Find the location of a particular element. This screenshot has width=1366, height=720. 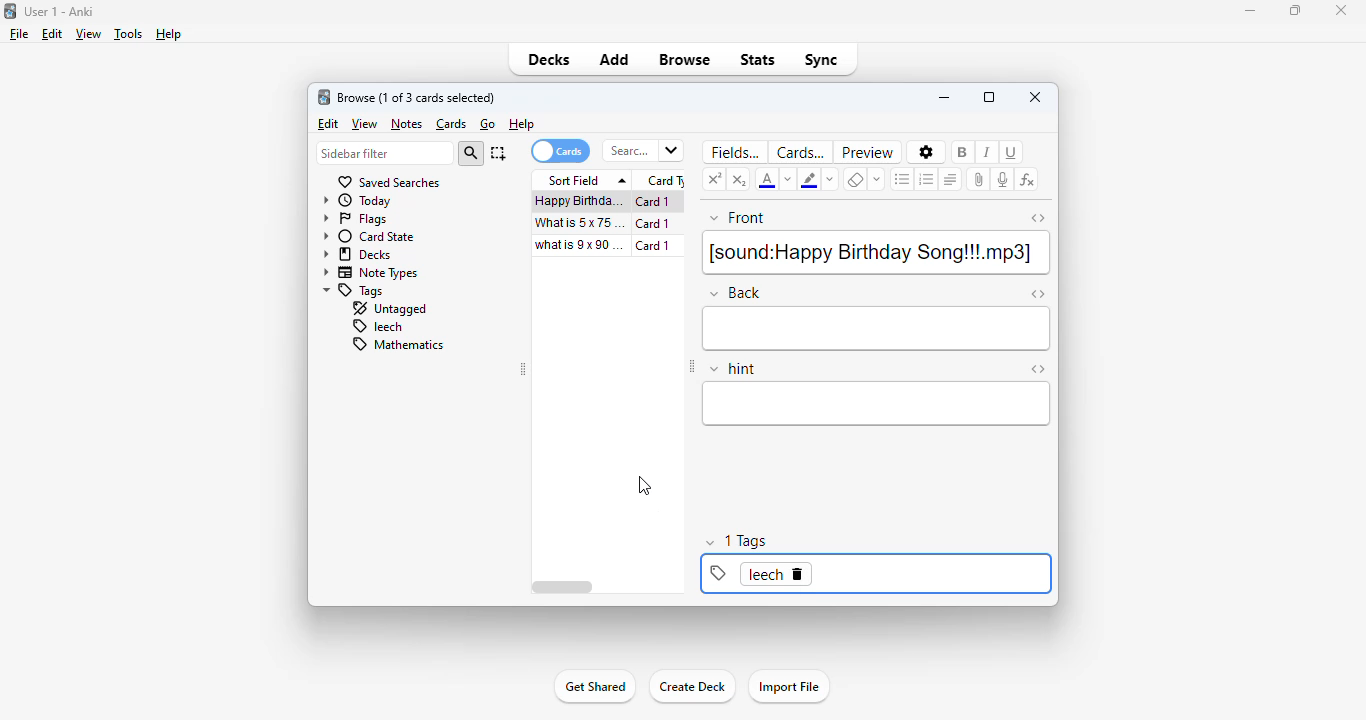

browse is located at coordinates (684, 60).